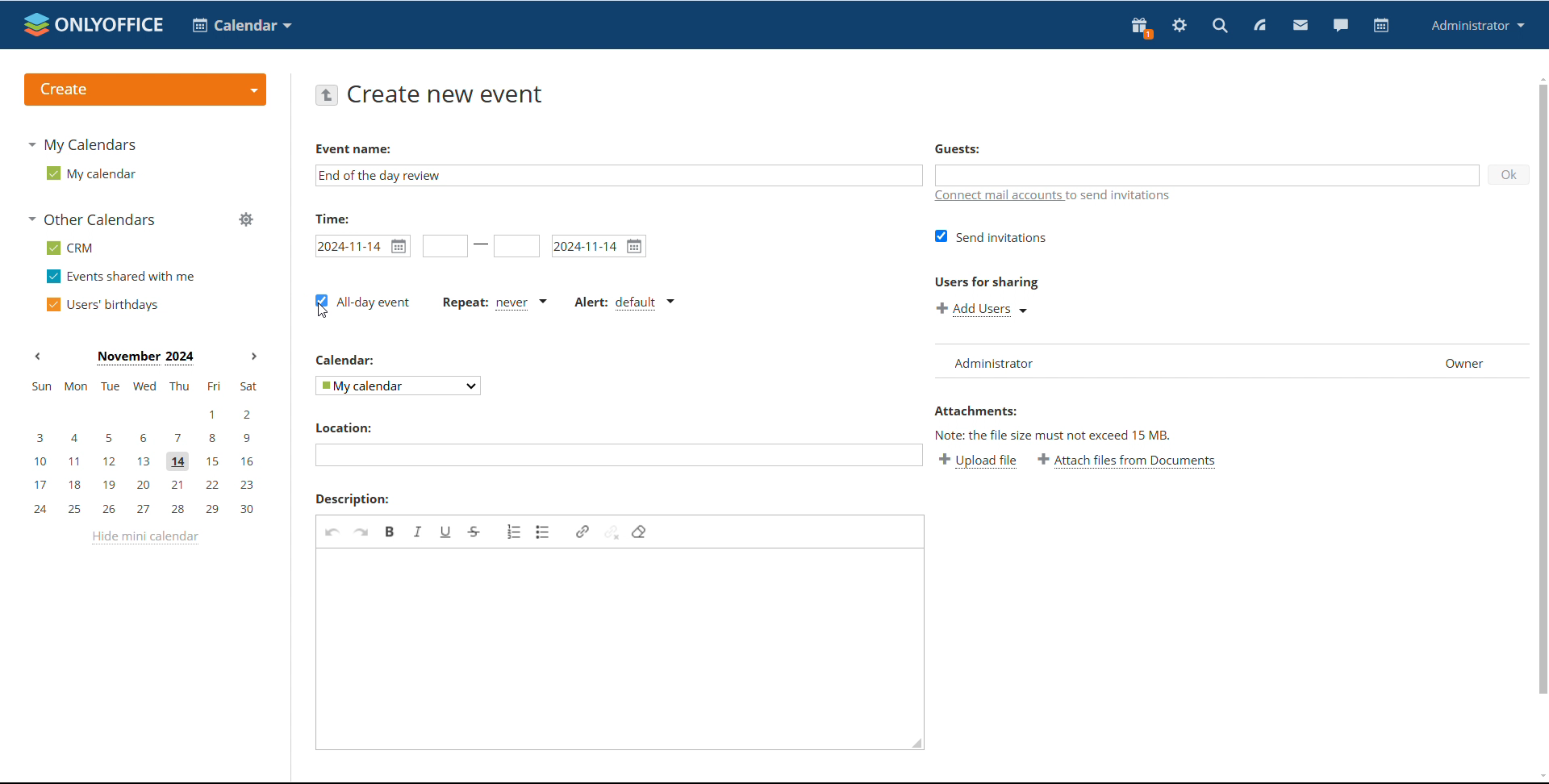 This screenshot has width=1549, height=784. Describe the element at coordinates (1205, 174) in the screenshot. I see `add guests` at that location.